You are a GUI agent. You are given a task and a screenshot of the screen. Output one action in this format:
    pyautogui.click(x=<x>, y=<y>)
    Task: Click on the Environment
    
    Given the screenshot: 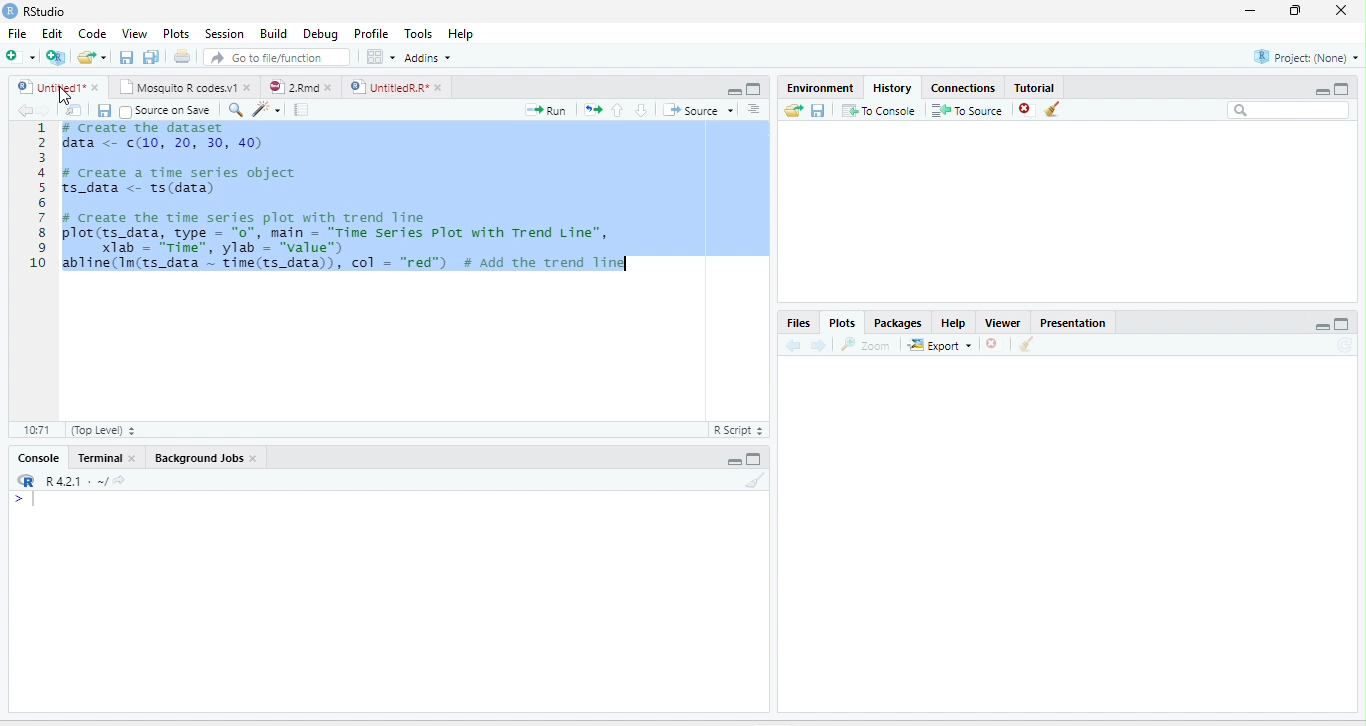 What is the action you would take?
    pyautogui.click(x=822, y=87)
    